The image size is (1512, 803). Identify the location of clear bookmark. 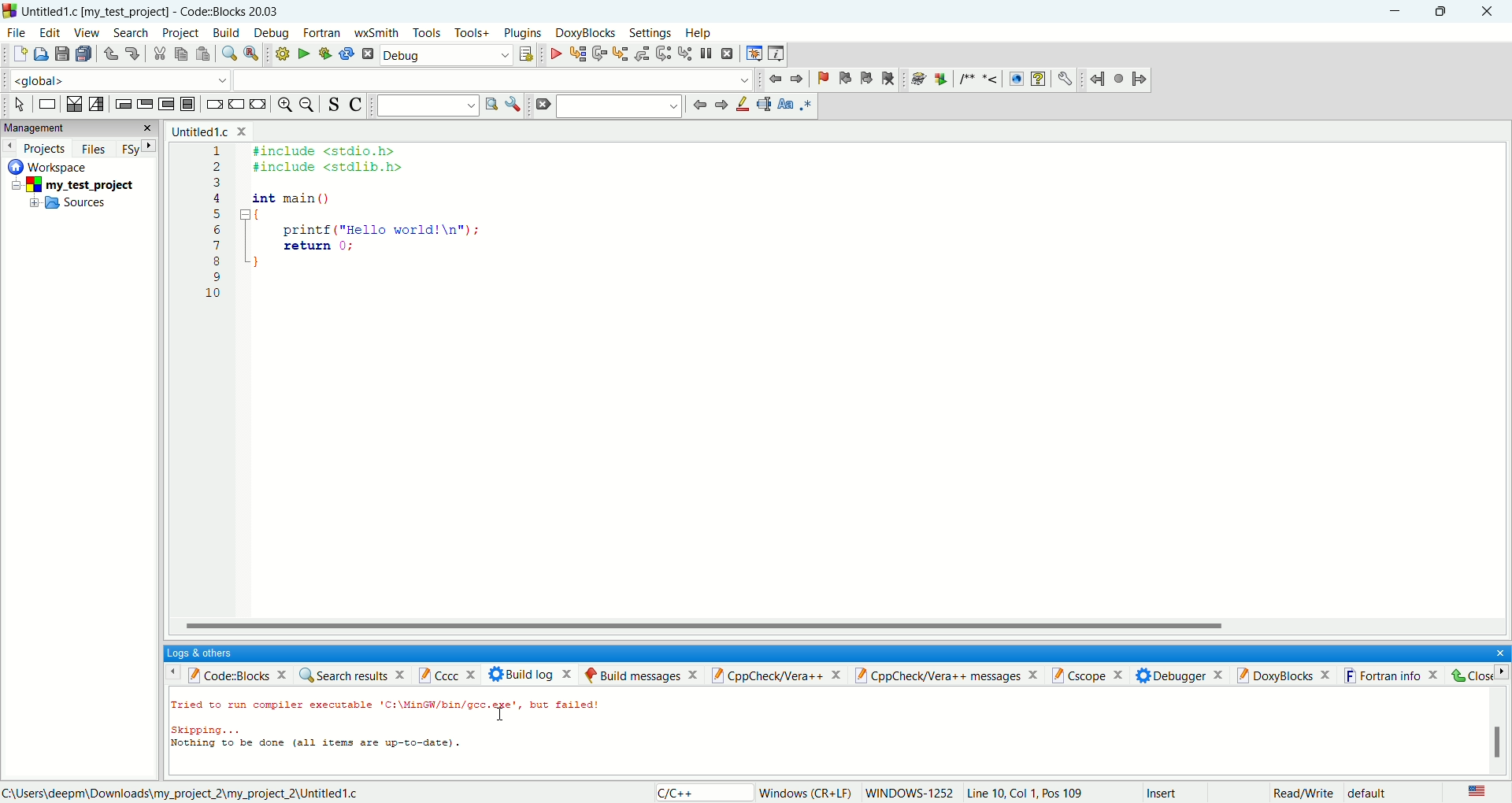
(891, 81).